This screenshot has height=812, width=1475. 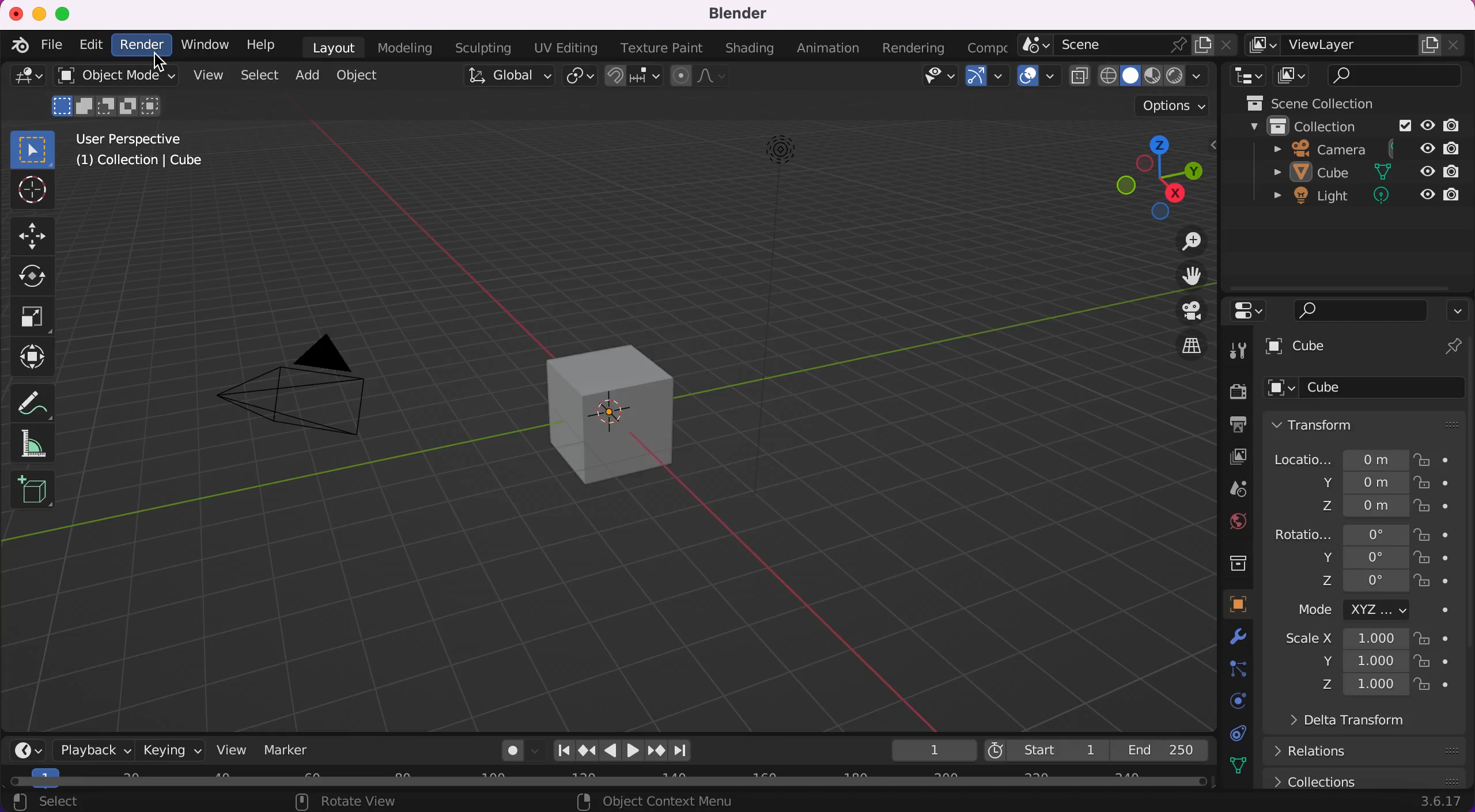 What do you see at coordinates (204, 45) in the screenshot?
I see `window` at bounding box center [204, 45].